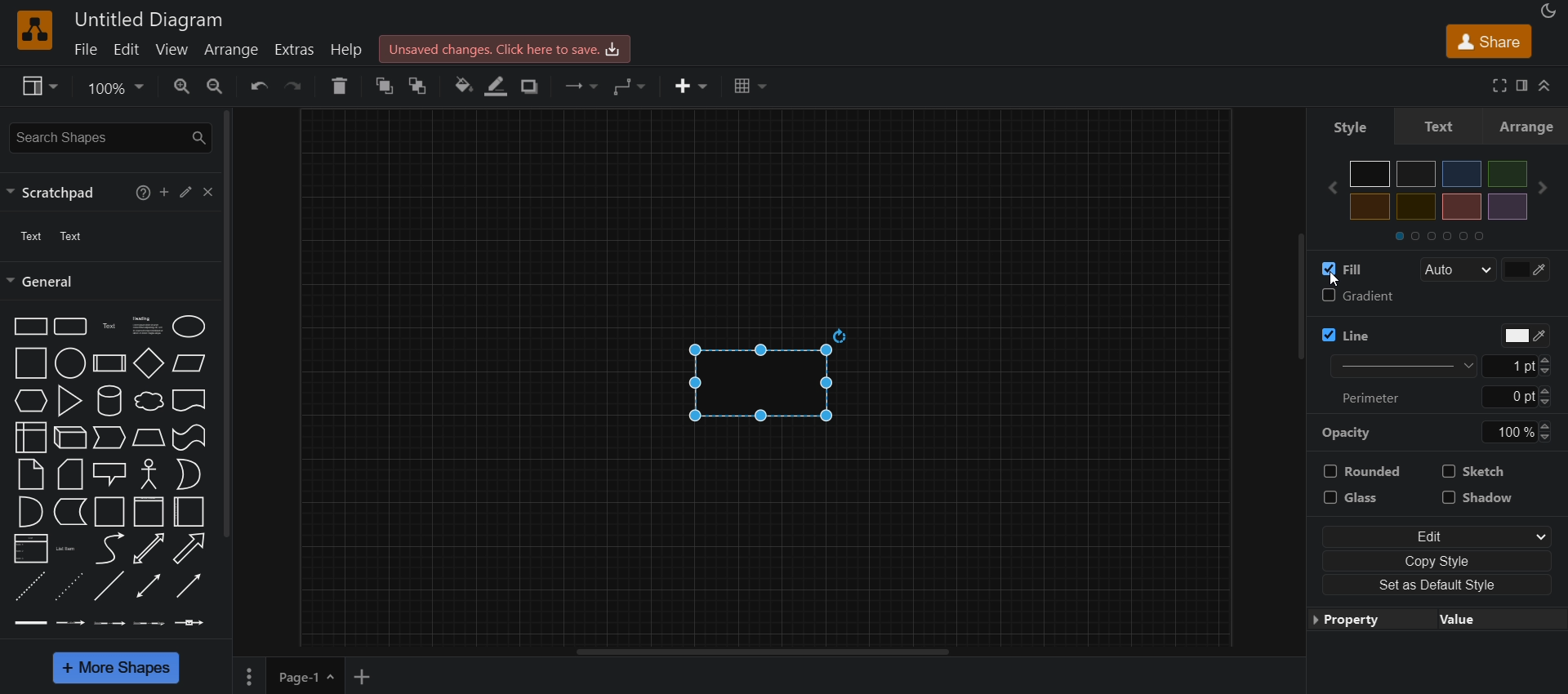 The height and width of the screenshot is (694, 1568). I want to click on text, so click(1359, 129).